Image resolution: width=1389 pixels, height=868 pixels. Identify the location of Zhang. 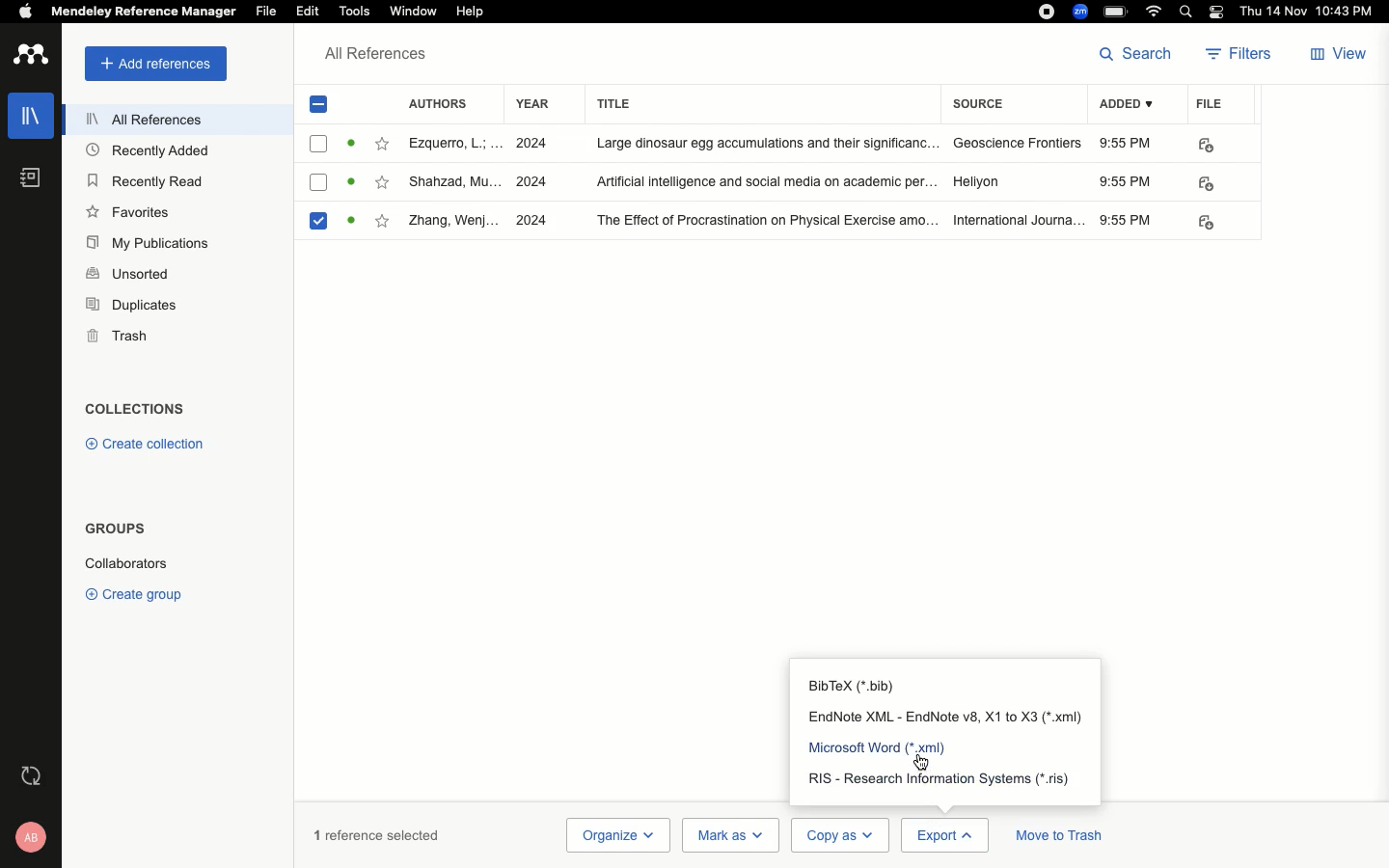
(453, 222).